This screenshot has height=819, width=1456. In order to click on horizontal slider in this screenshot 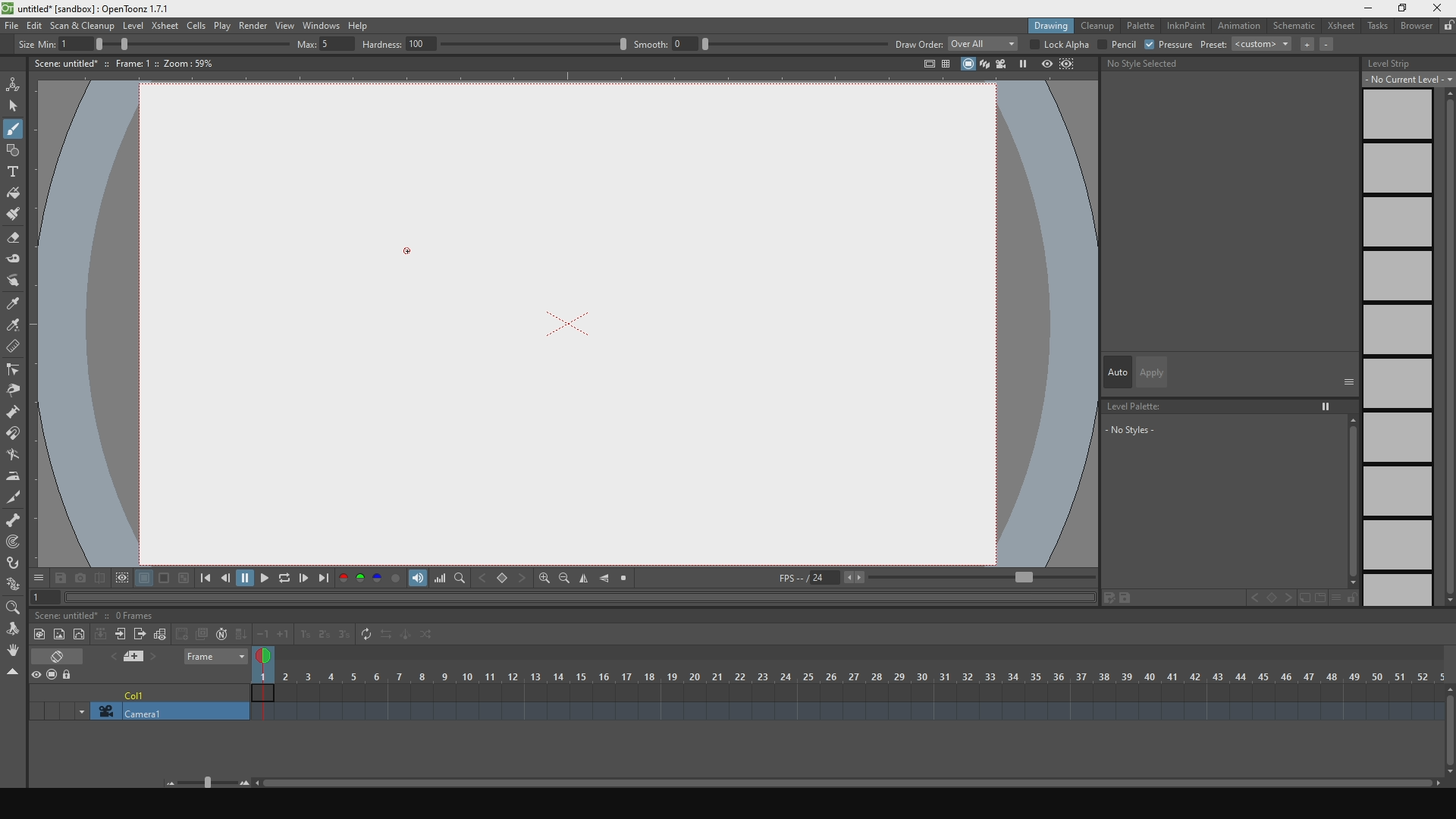, I will do `click(805, 783)`.